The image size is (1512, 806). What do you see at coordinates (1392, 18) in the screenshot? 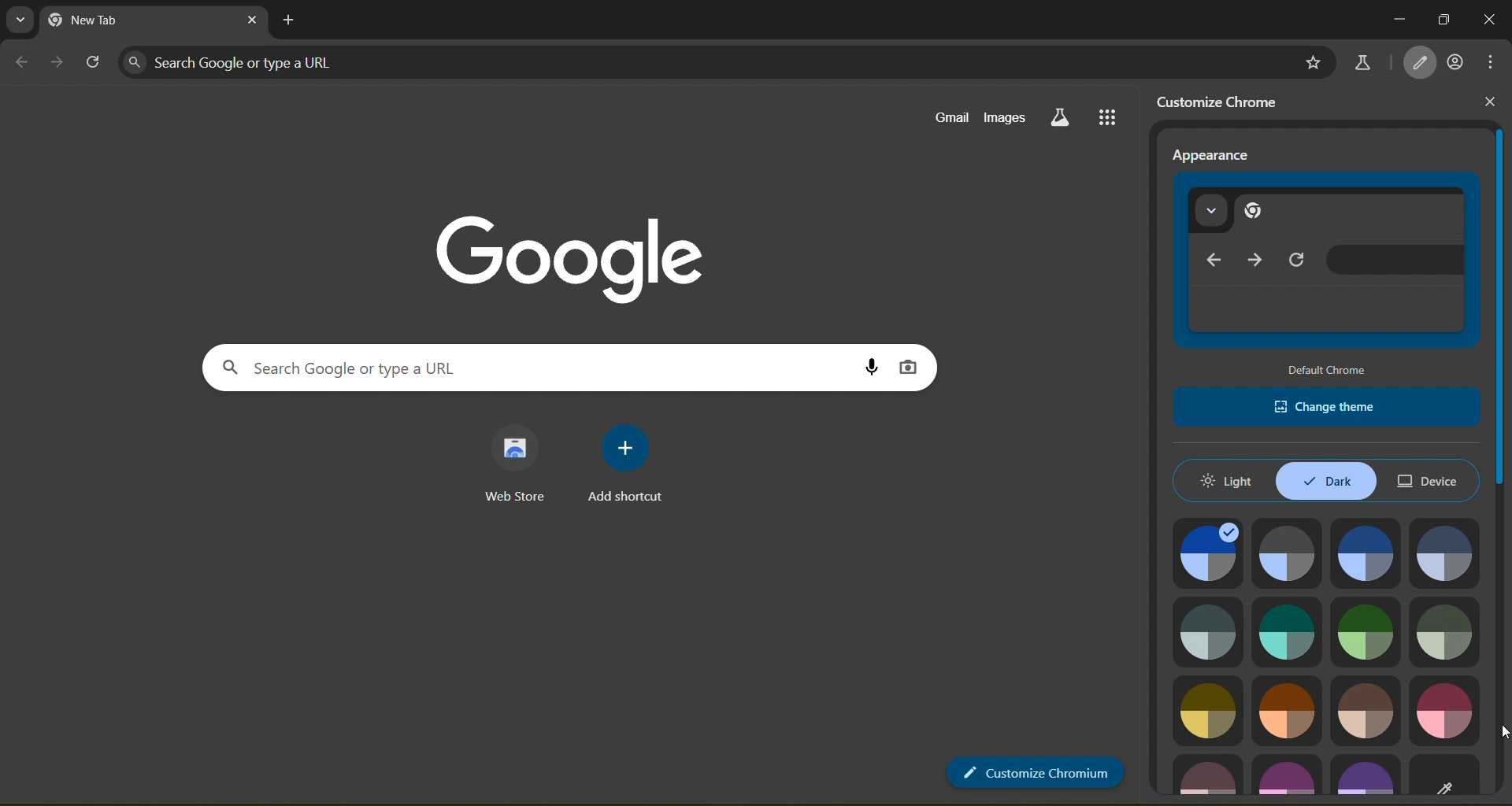
I see `minimize` at bounding box center [1392, 18].